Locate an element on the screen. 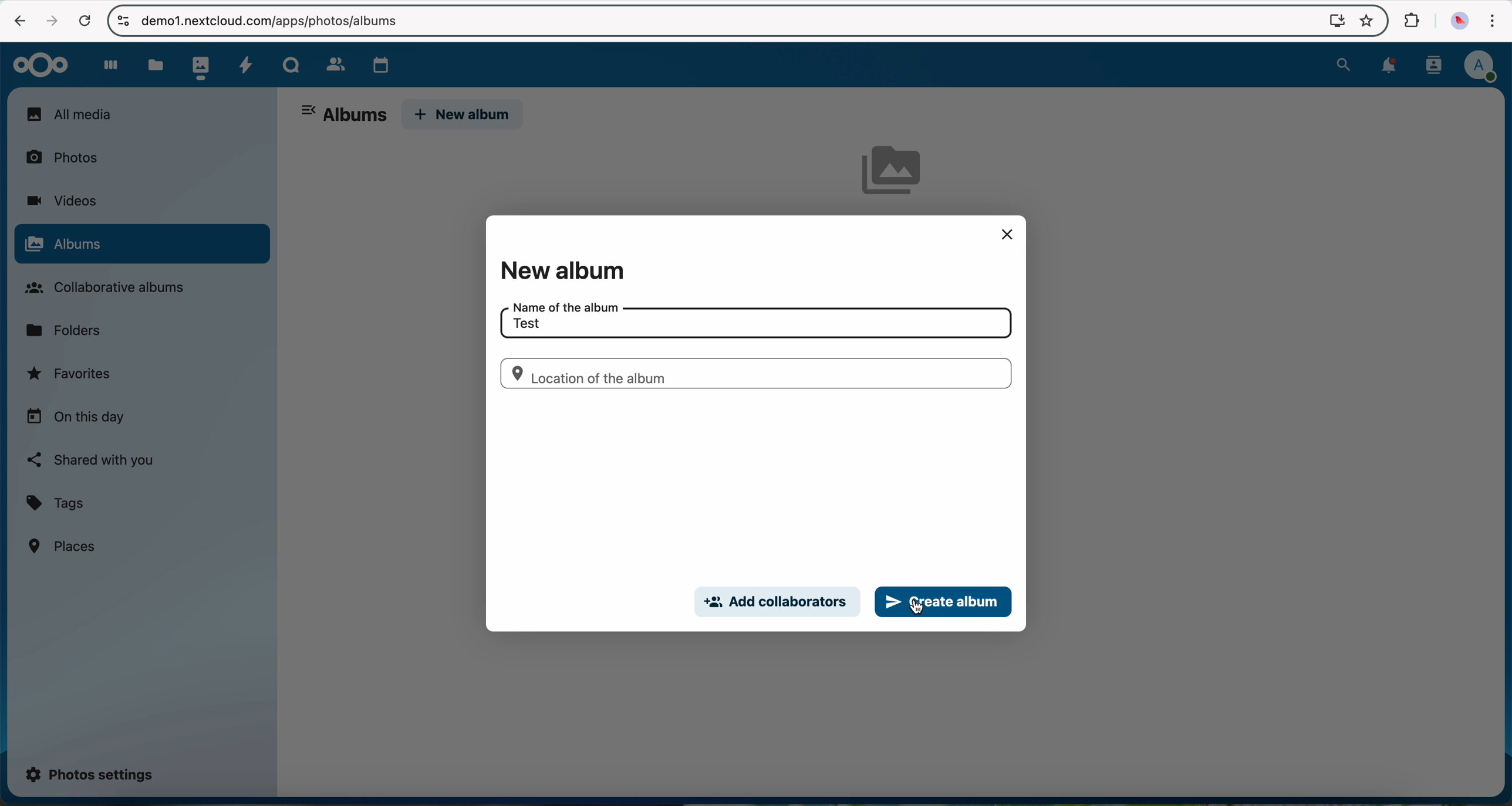  photos is located at coordinates (69, 156).